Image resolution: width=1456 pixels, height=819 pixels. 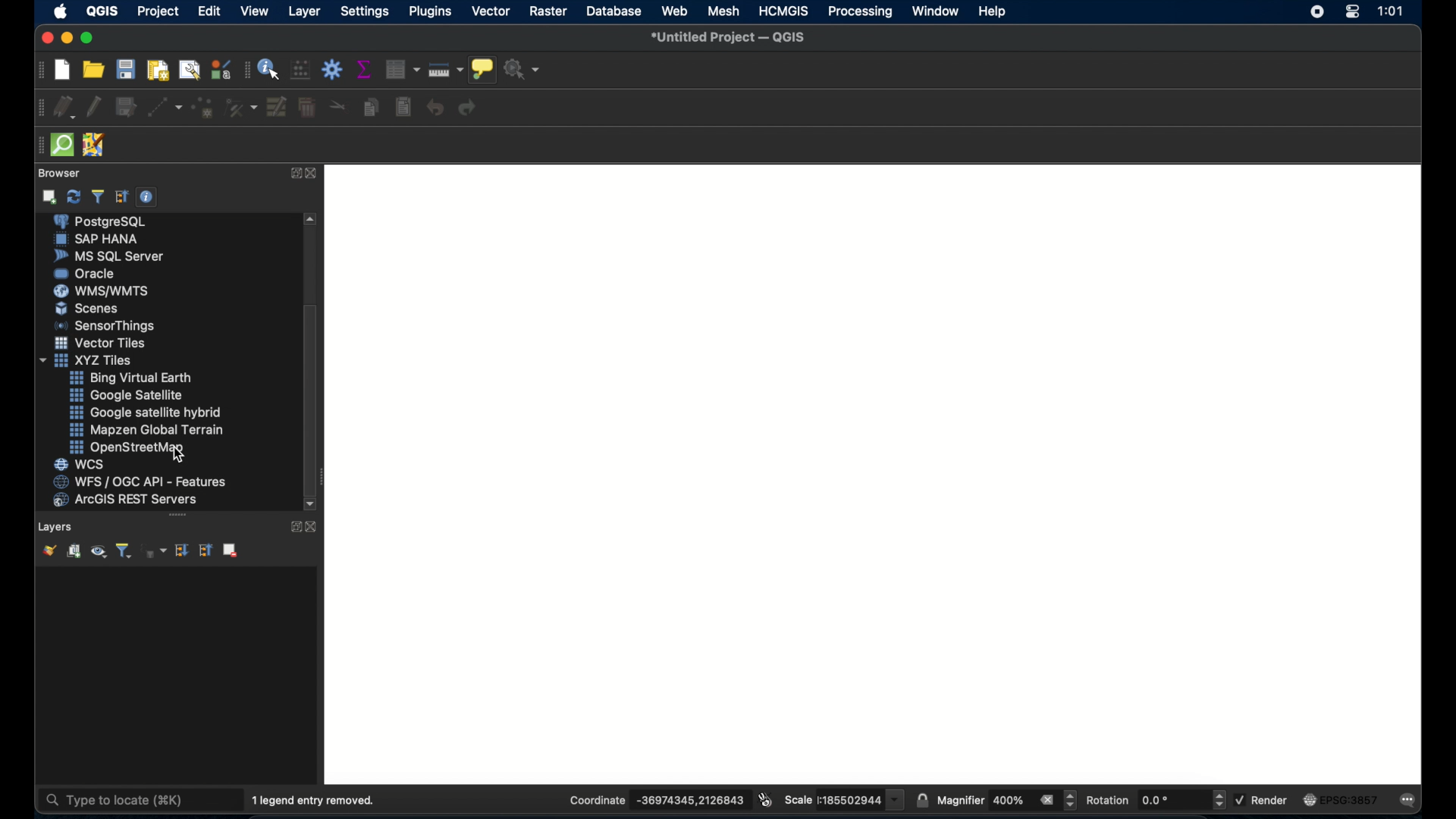 What do you see at coordinates (364, 12) in the screenshot?
I see `settings` at bounding box center [364, 12].